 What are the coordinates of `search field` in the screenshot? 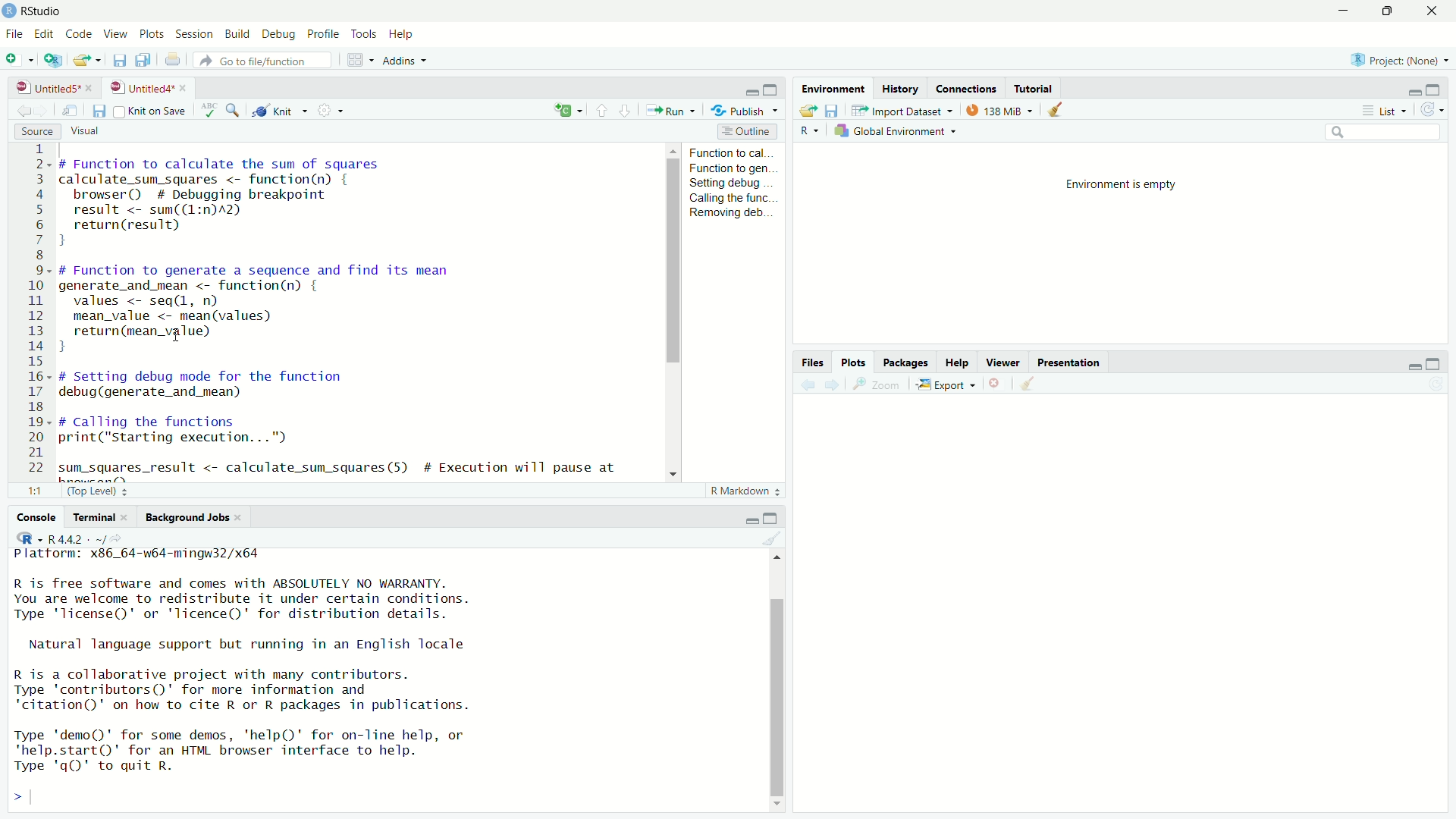 It's located at (1382, 133).